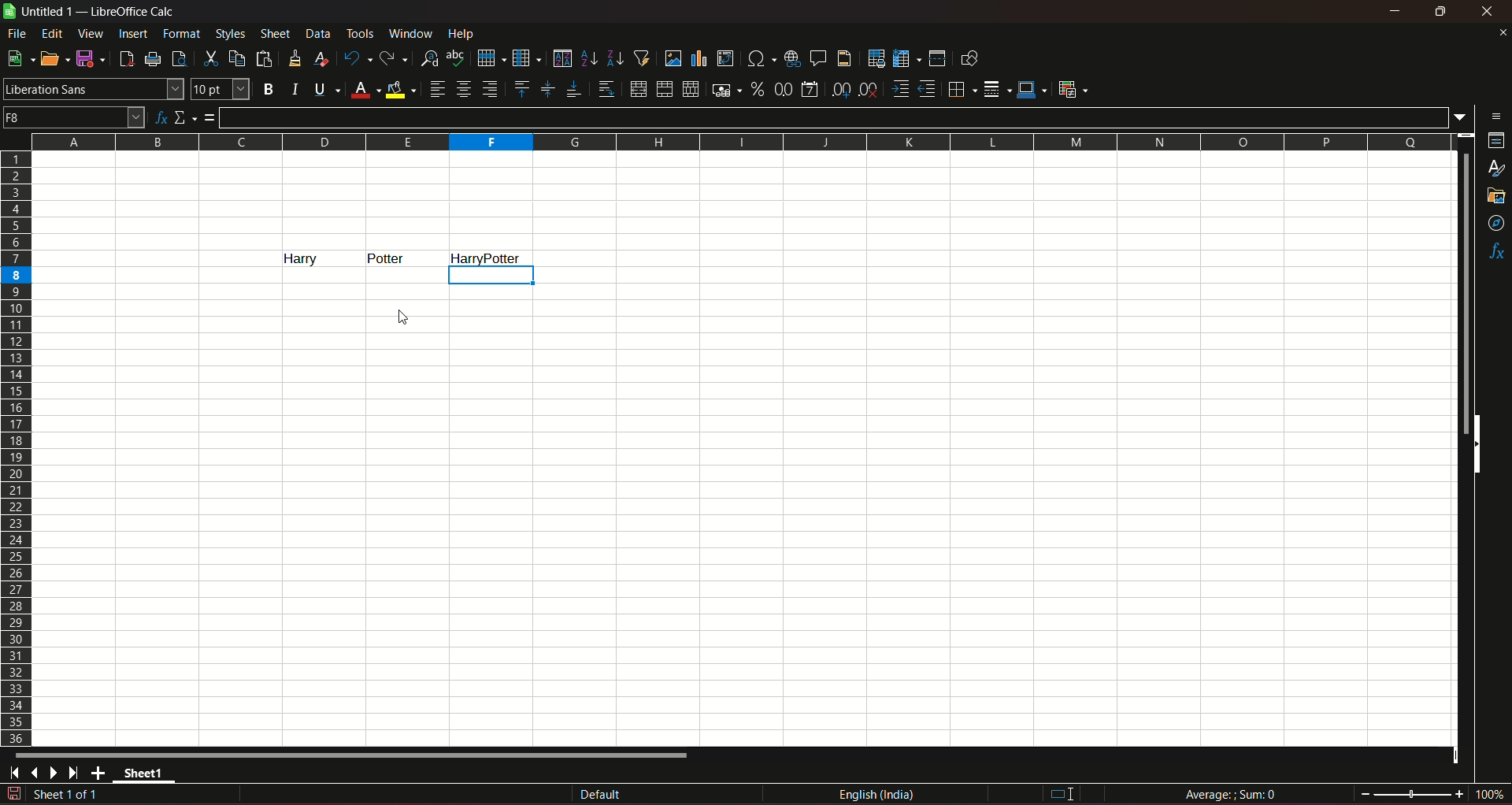 Image resolution: width=1512 pixels, height=805 pixels. Describe the element at coordinates (488, 257) in the screenshot. I see `column highlight` at that location.